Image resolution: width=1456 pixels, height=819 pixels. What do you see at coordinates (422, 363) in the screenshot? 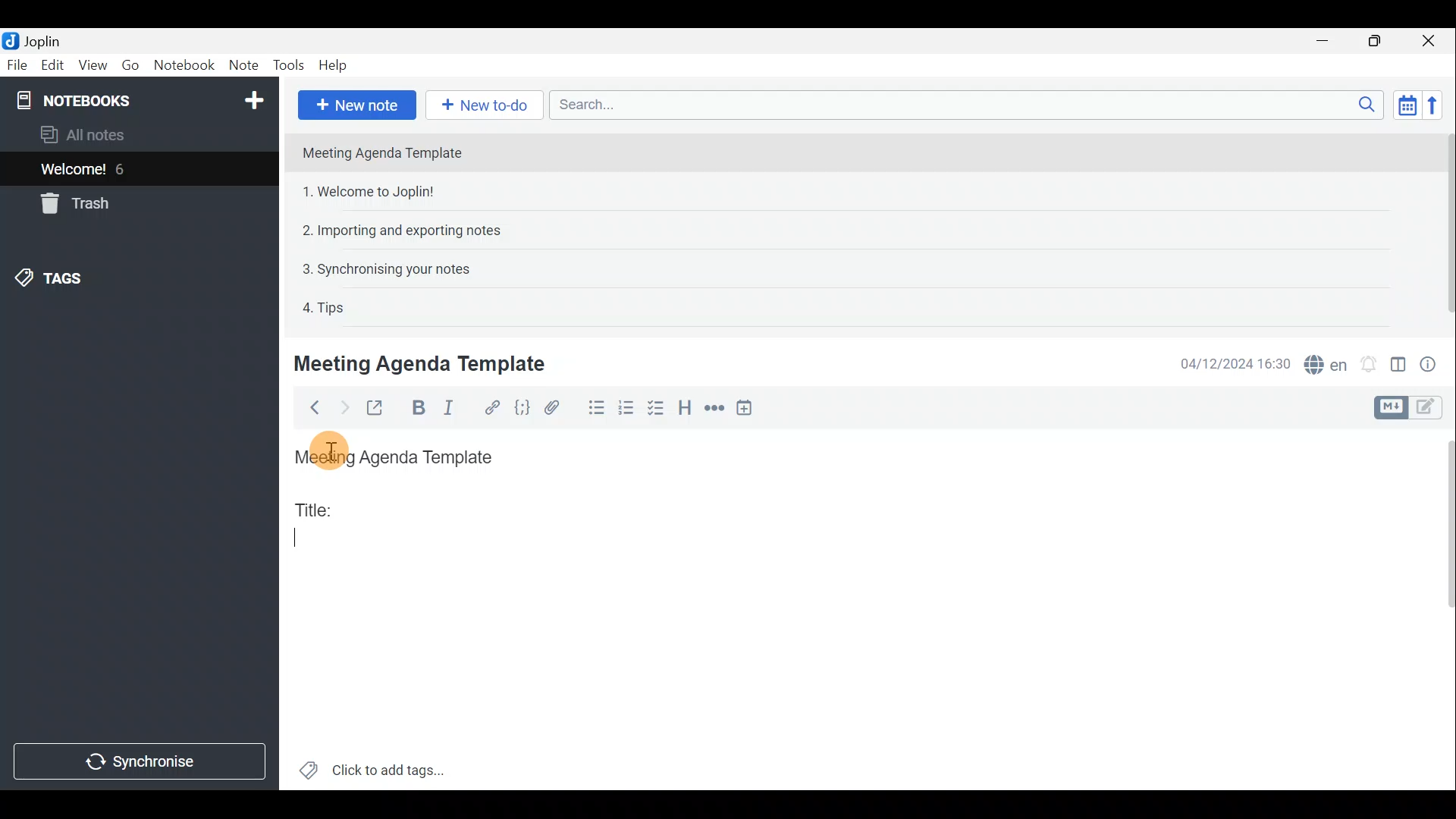
I see `Meeting Agenda Template` at bounding box center [422, 363].